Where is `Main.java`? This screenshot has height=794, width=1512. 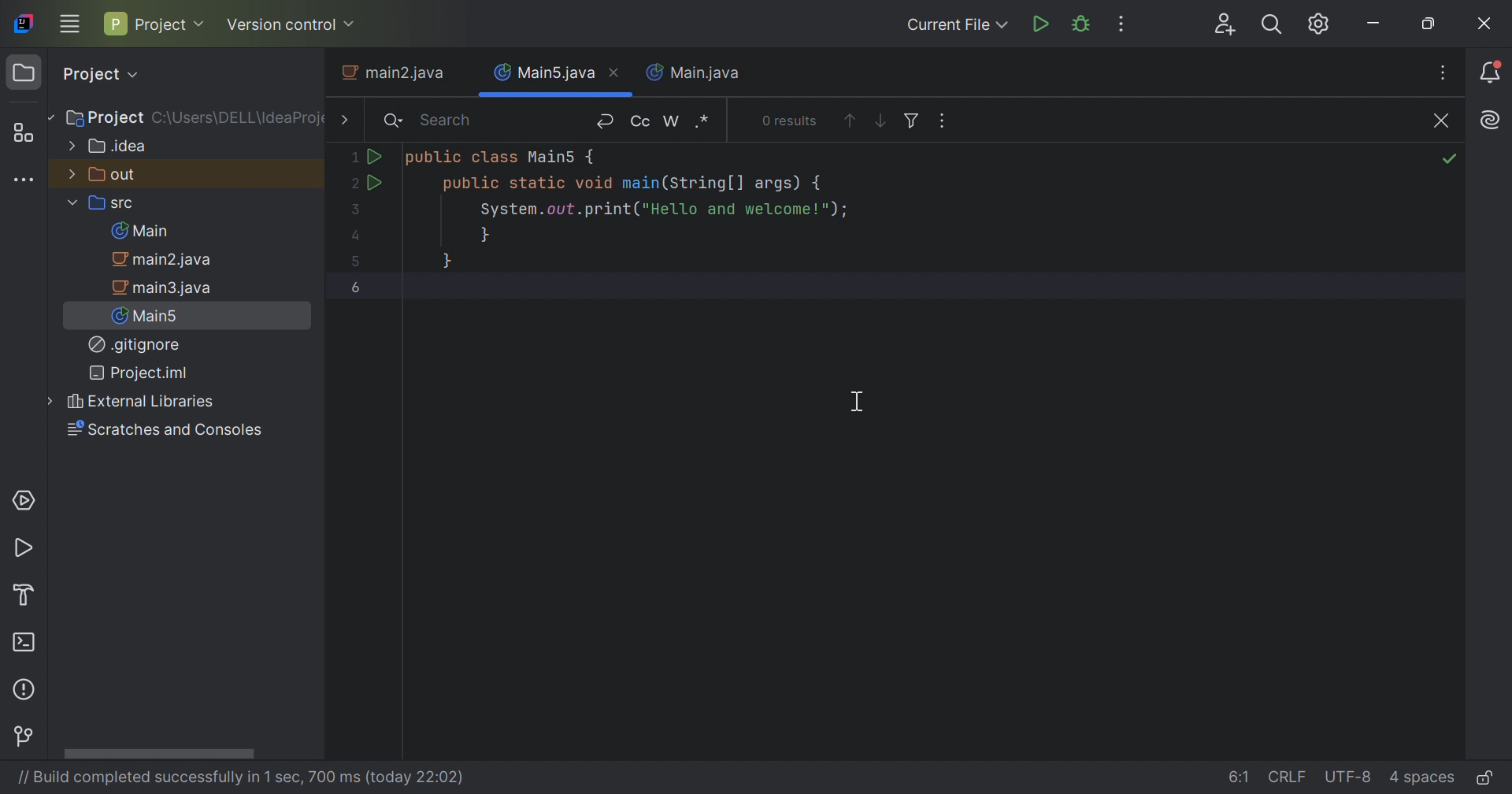
Main.java is located at coordinates (694, 72).